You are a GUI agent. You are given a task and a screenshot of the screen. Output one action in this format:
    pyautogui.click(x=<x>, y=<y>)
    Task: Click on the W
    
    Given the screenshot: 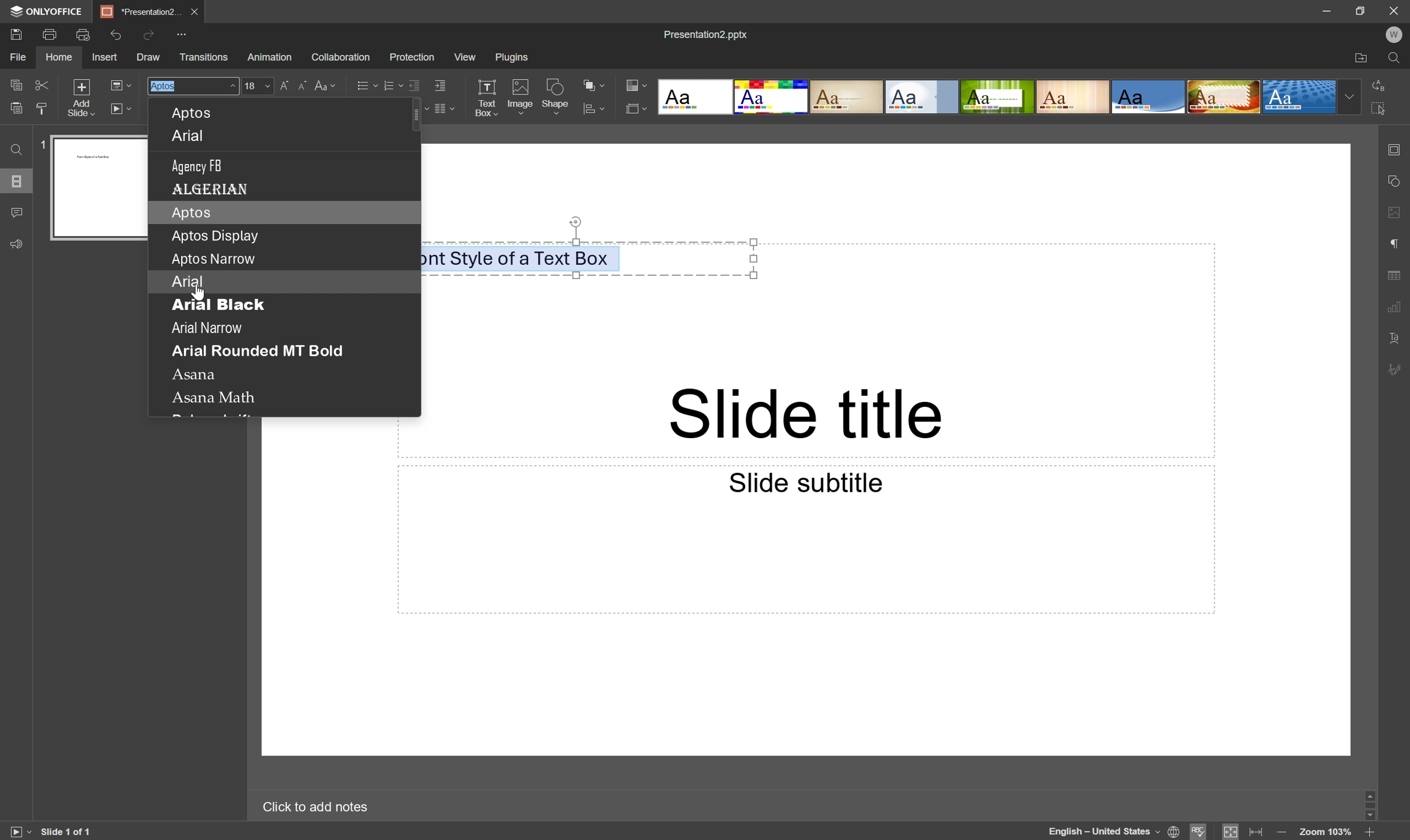 What is the action you would take?
    pyautogui.click(x=1396, y=34)
    